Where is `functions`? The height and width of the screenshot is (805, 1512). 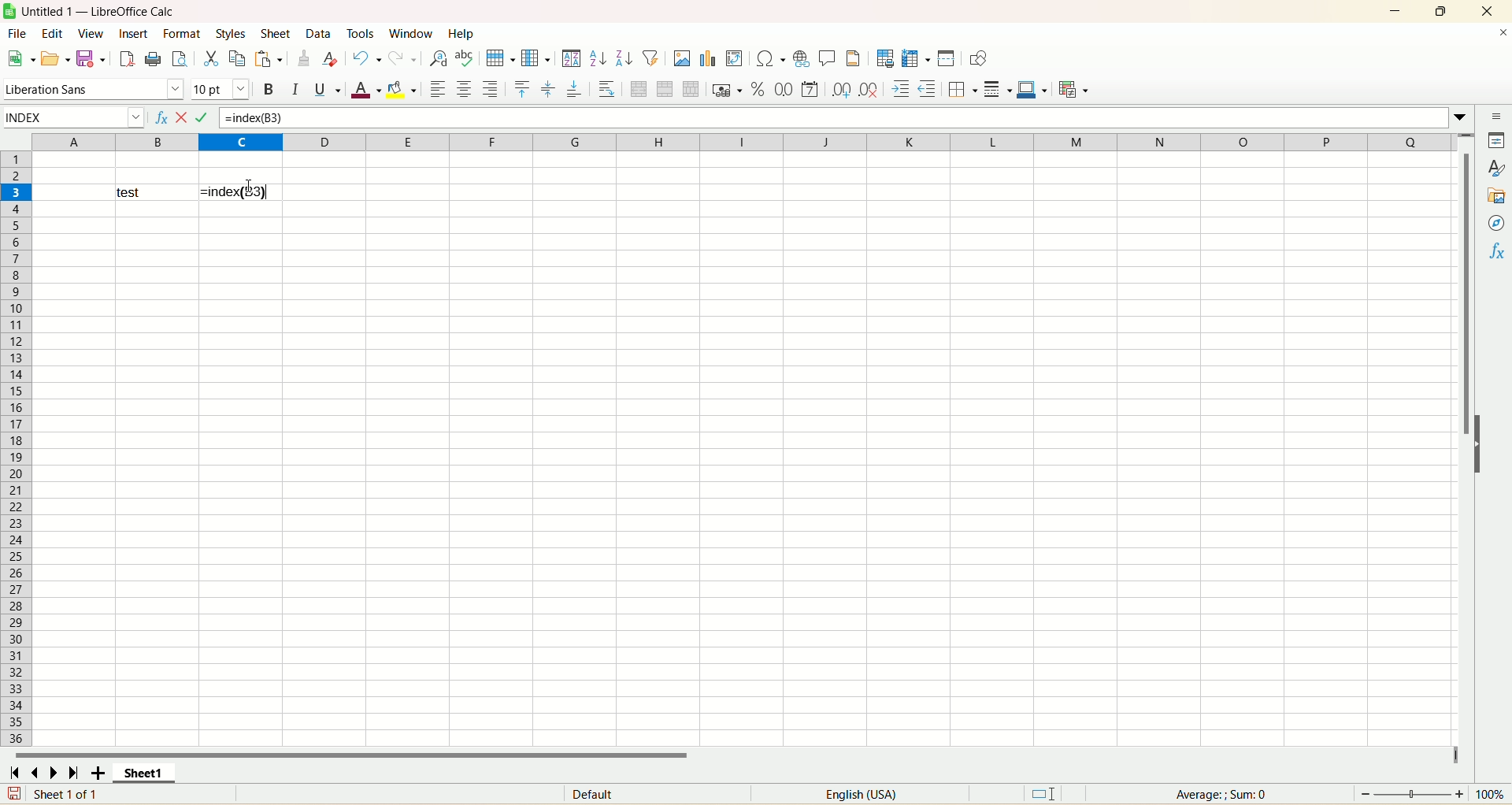 functions is located at coordinates (1495, 251).